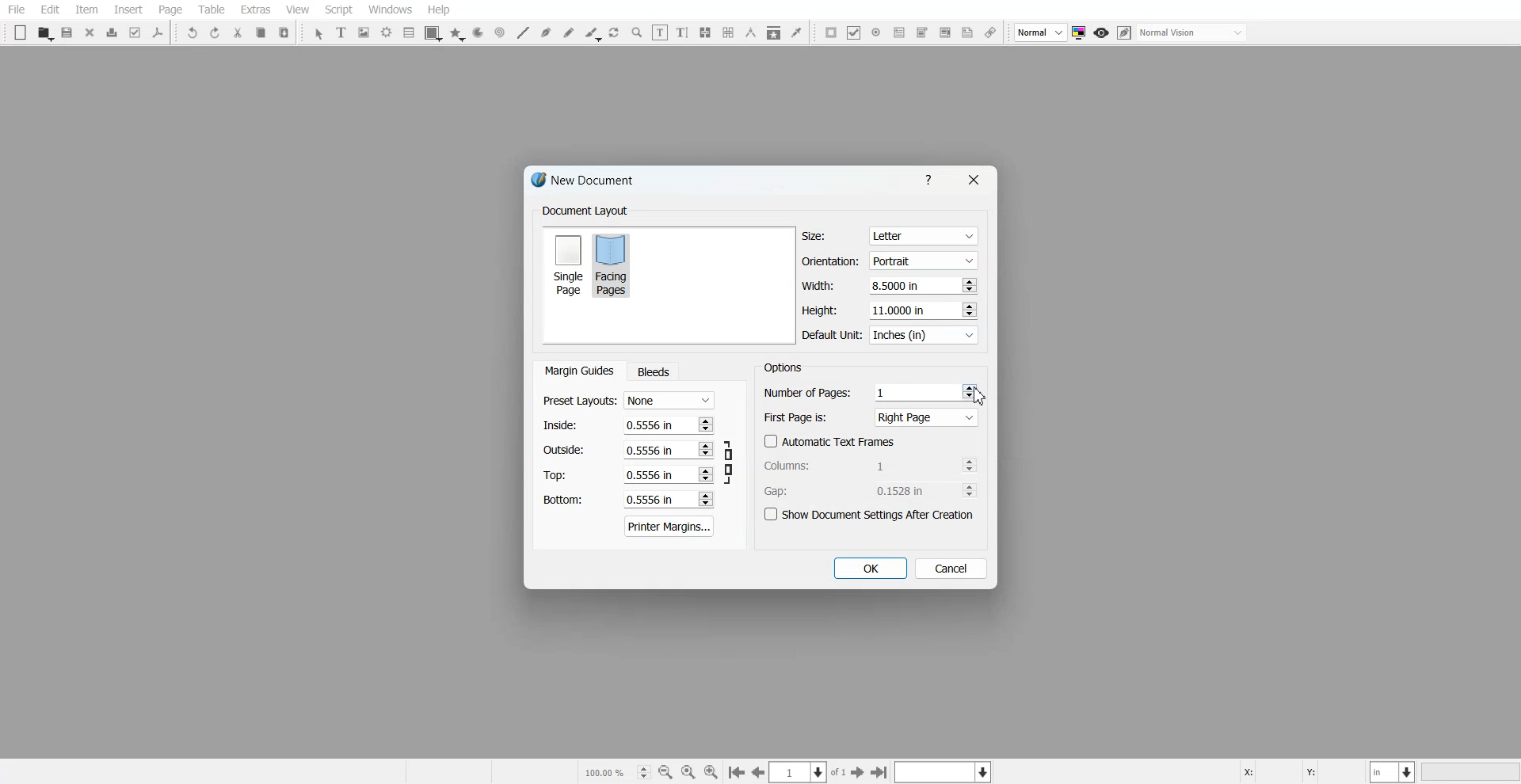  What do you see at coordinates (883, 392) in the screenshot?
I see `4` at bounding box center [883, 392].